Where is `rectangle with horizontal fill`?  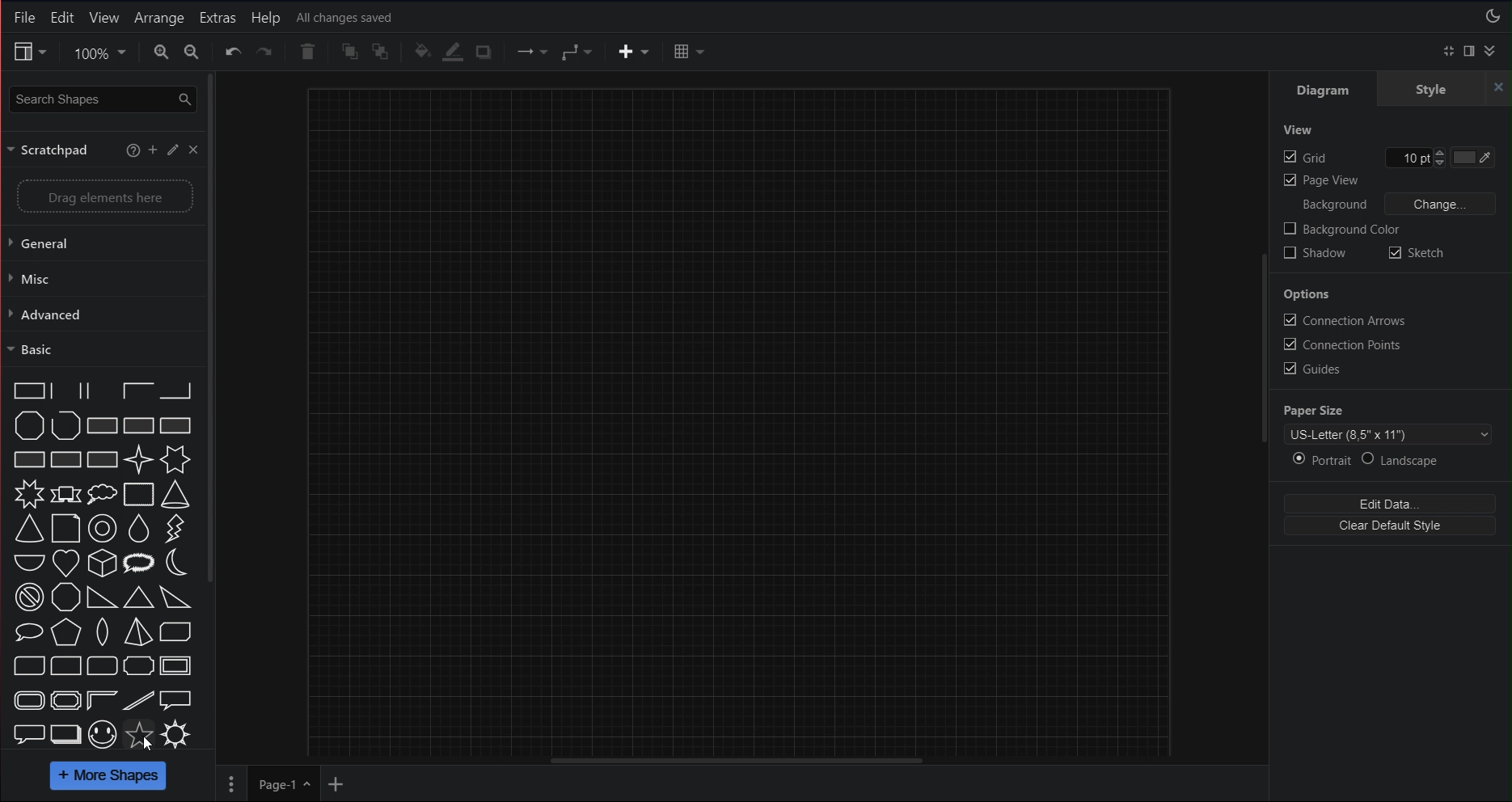
rectangle with horizontal fill is located at coordinates (30, 459).